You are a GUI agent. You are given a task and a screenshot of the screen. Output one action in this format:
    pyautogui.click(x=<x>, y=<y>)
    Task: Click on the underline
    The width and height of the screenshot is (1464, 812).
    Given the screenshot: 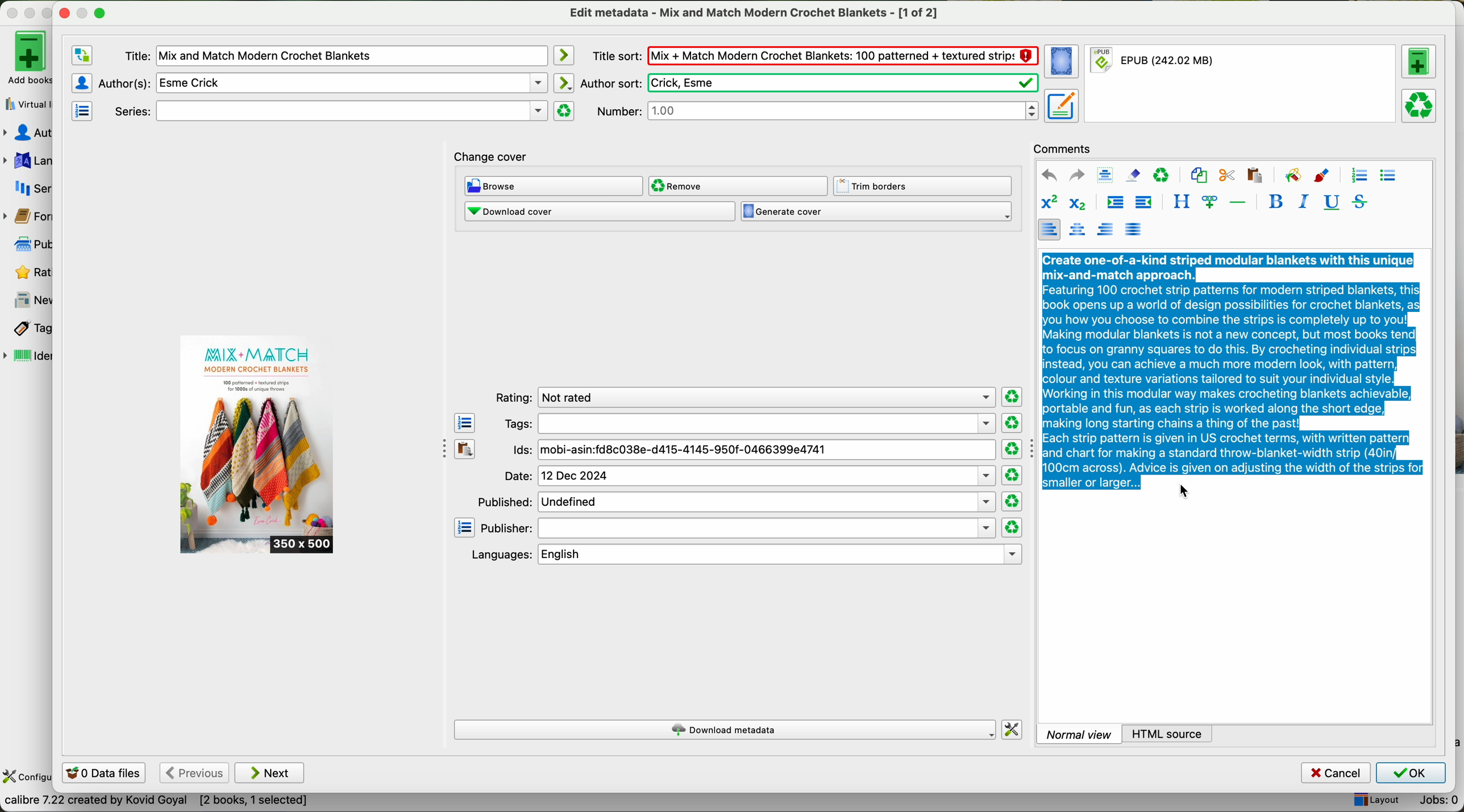 What is the action you would take?
    pyautogui.click(x=1330, y=203)
    